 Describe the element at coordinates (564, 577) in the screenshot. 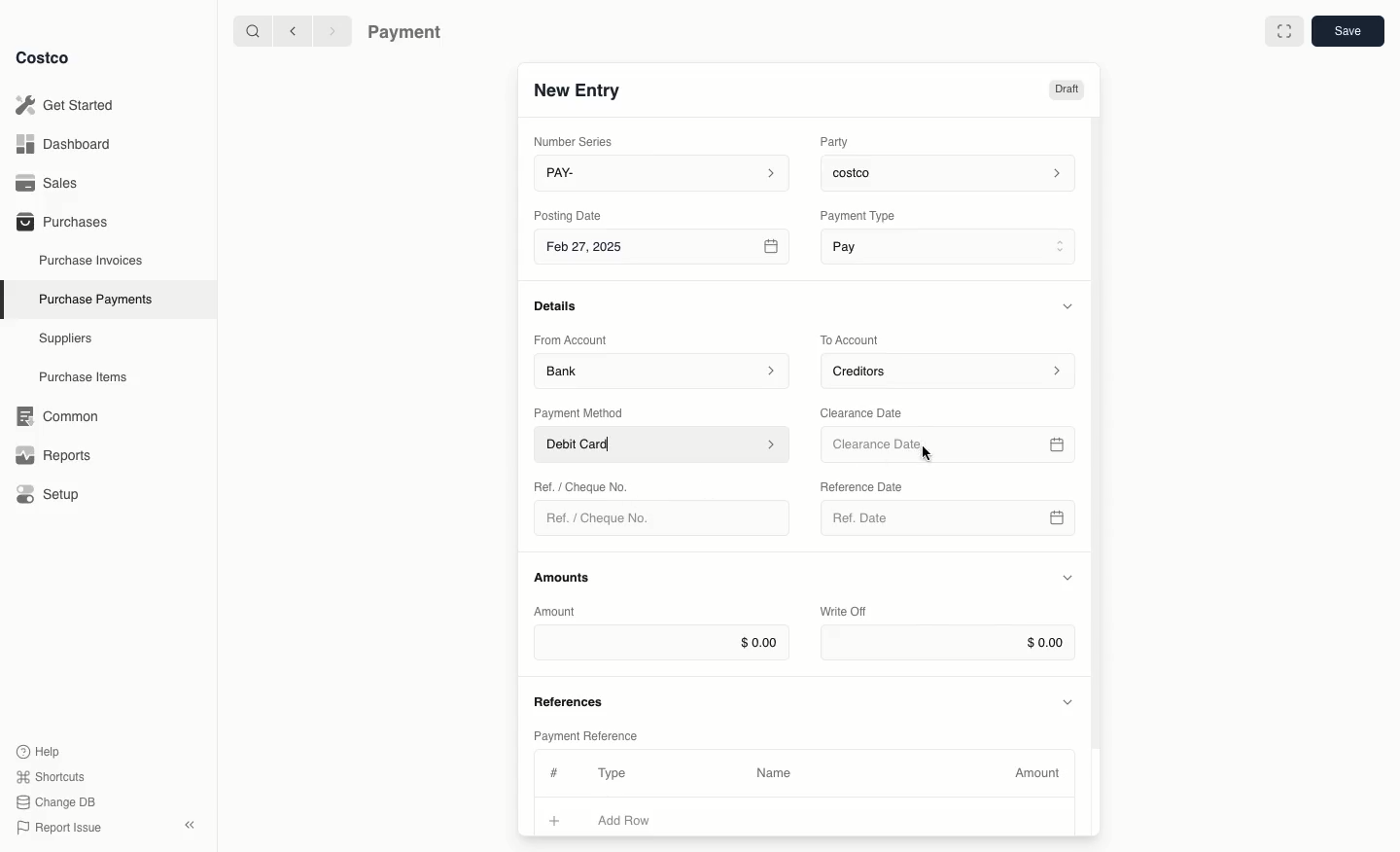

I see `Amounts` at that location.